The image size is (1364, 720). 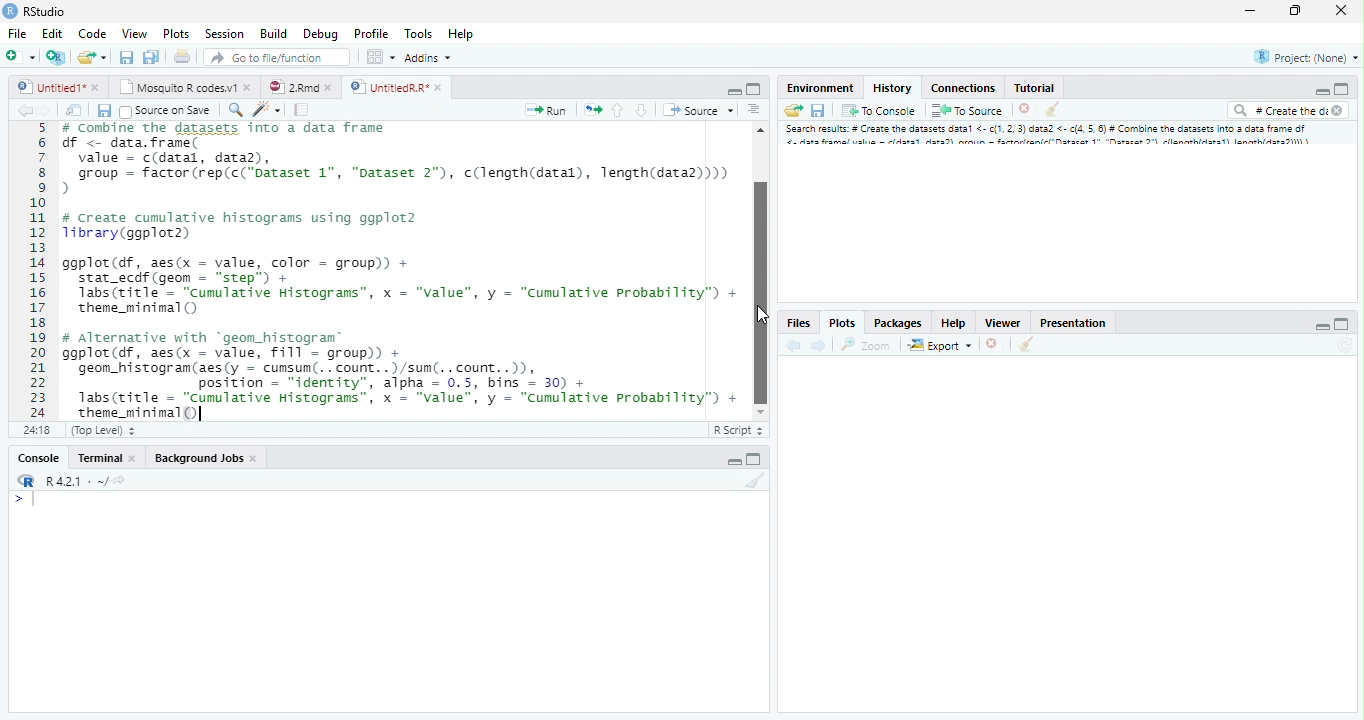 I want to click on Help, so click(x=953, y=322).